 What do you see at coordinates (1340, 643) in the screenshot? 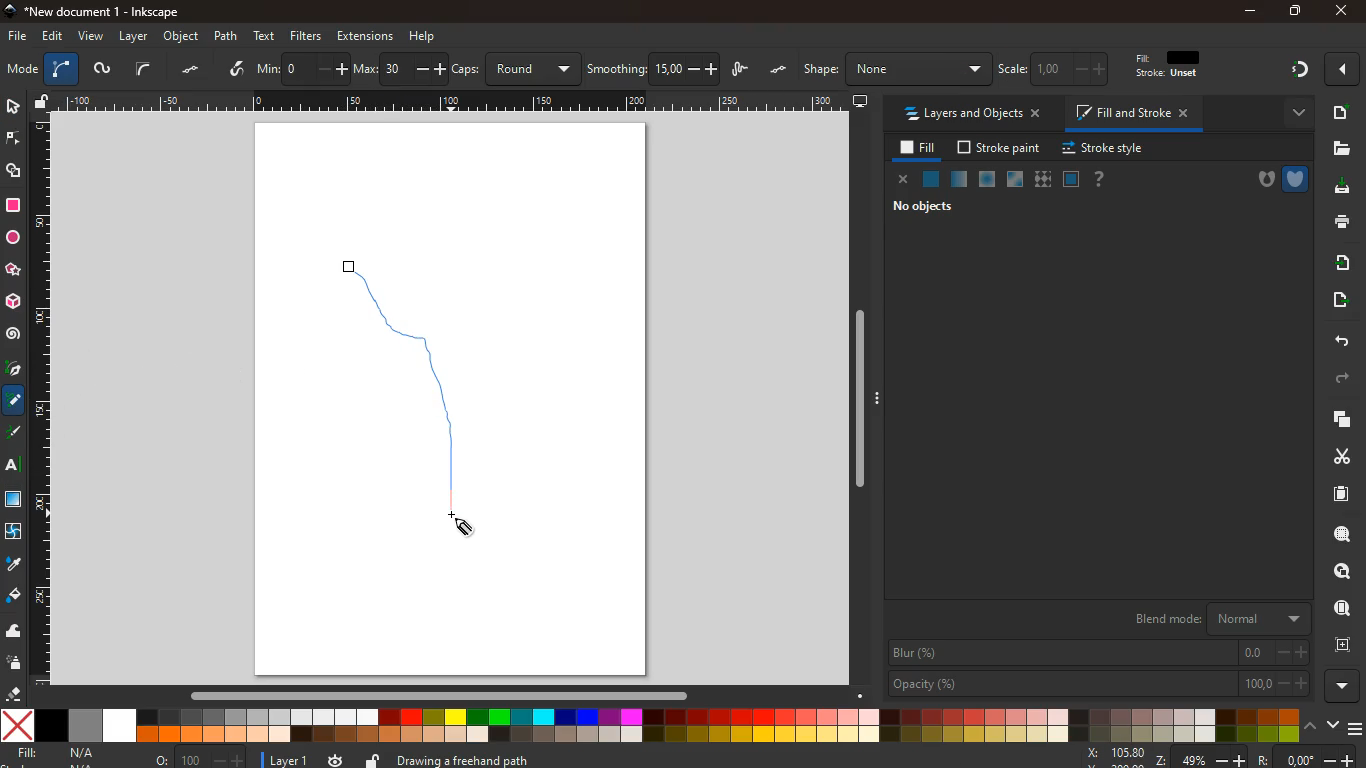
I see `frame` at bounding box center [1340, 643].